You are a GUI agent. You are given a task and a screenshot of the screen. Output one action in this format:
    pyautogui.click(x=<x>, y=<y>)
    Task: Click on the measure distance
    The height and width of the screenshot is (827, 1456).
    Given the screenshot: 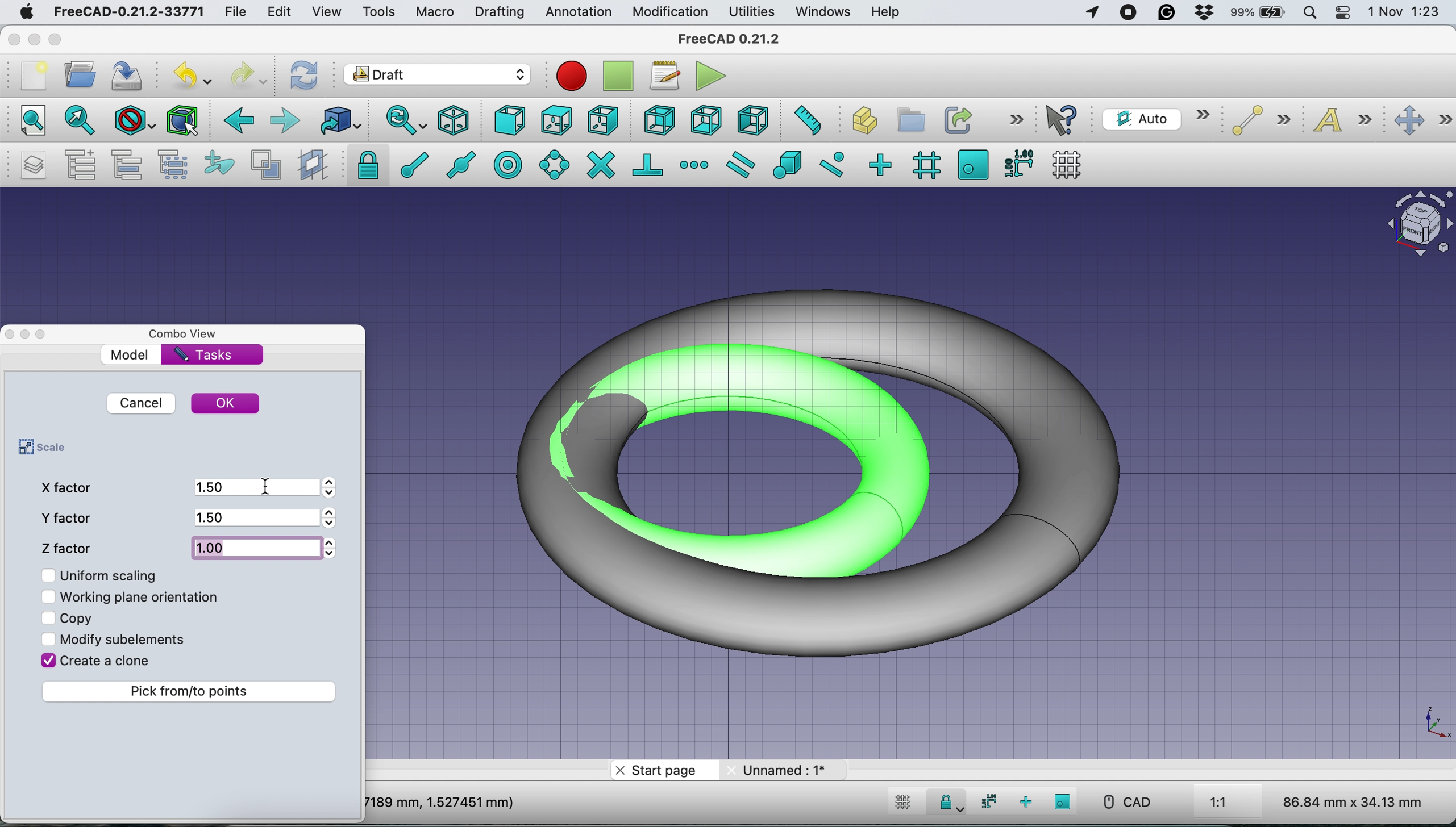 What is the action you would take?
    pyautogui.click(x=806, y=122)
    